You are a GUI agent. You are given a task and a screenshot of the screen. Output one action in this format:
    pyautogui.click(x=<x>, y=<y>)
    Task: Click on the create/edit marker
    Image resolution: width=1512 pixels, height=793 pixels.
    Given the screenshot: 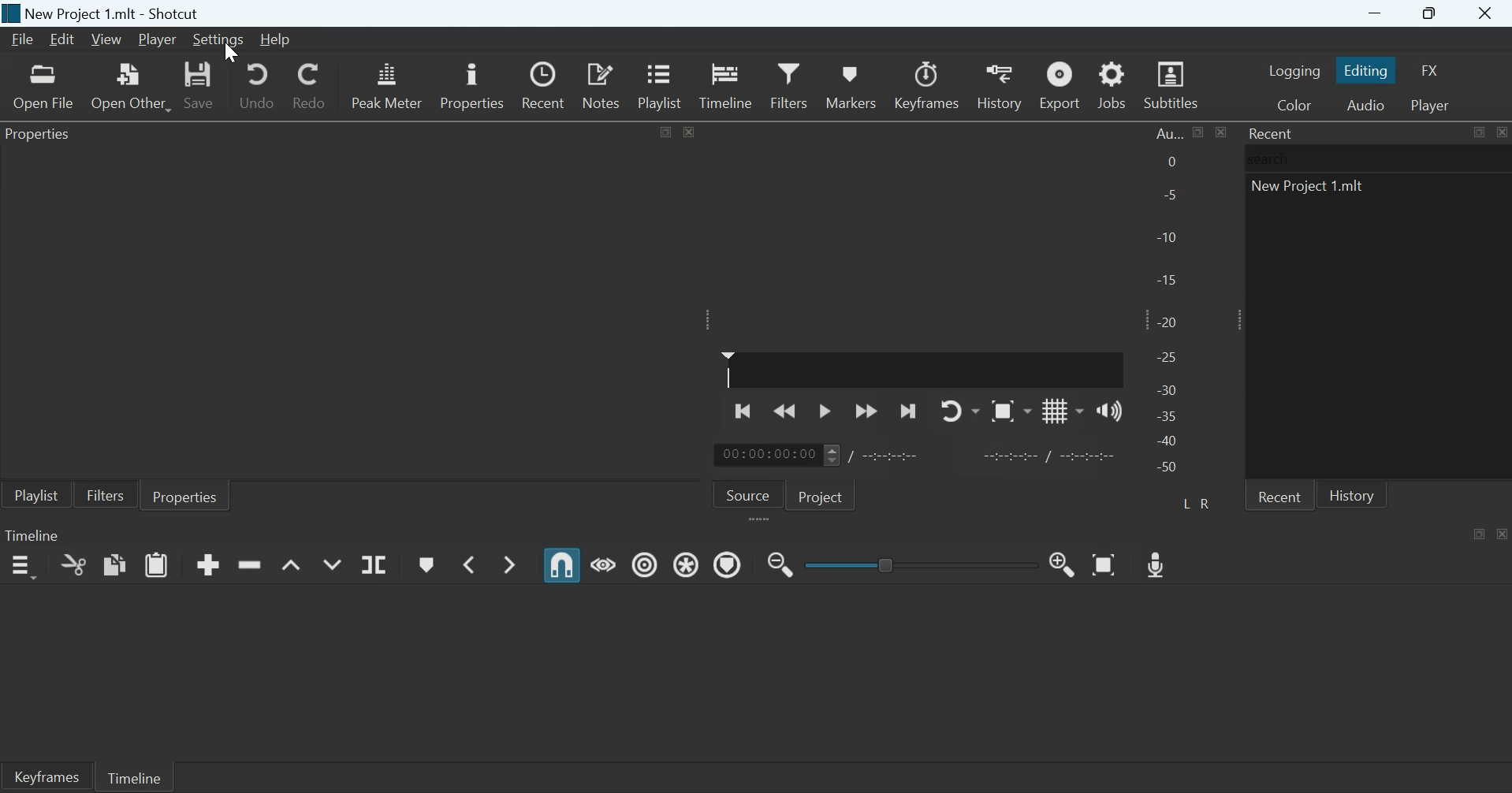 What is the action you would take?
    pyautogui.click(x=426, y=565)
    